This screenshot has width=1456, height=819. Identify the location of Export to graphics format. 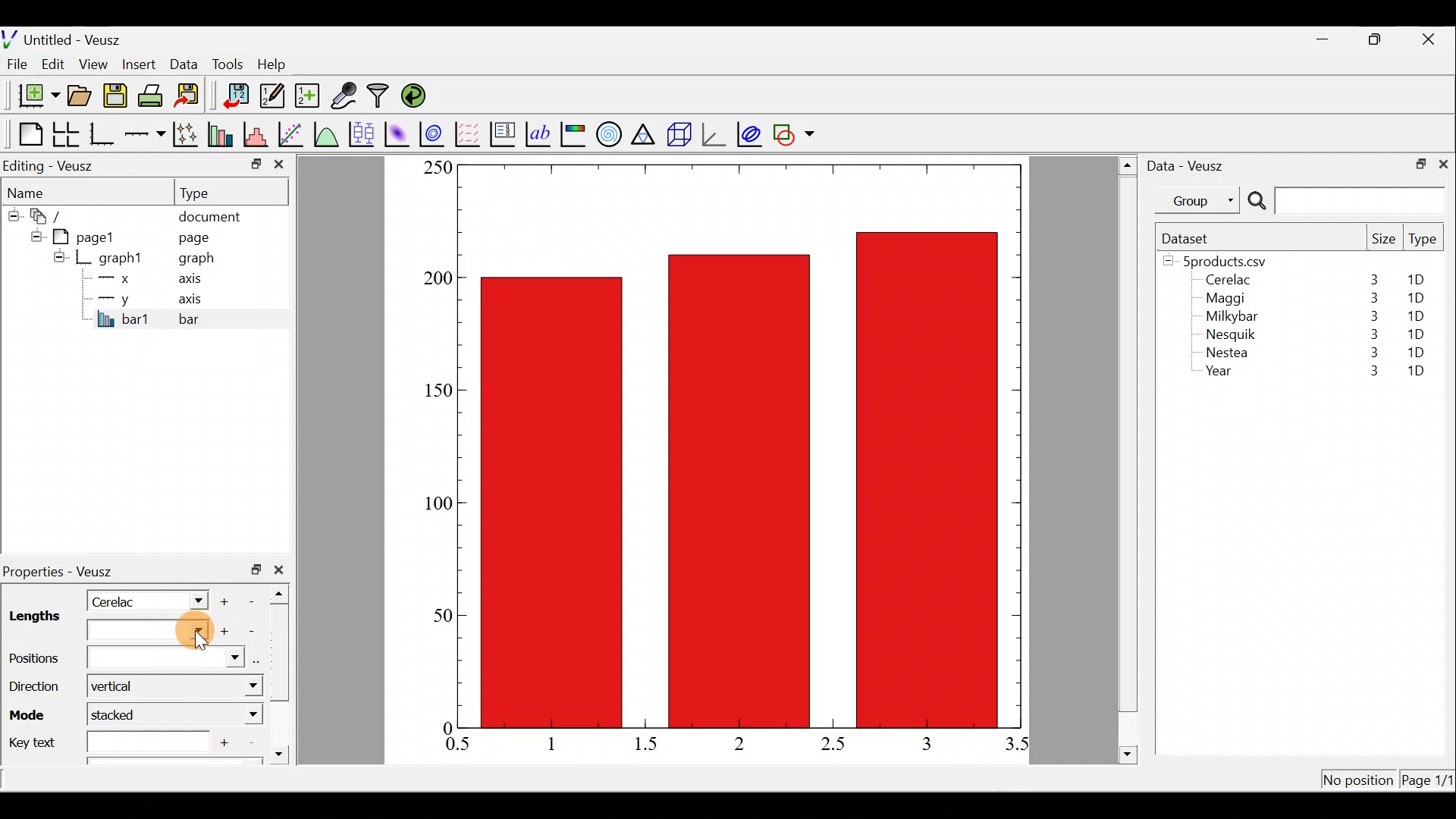
(192, 96).